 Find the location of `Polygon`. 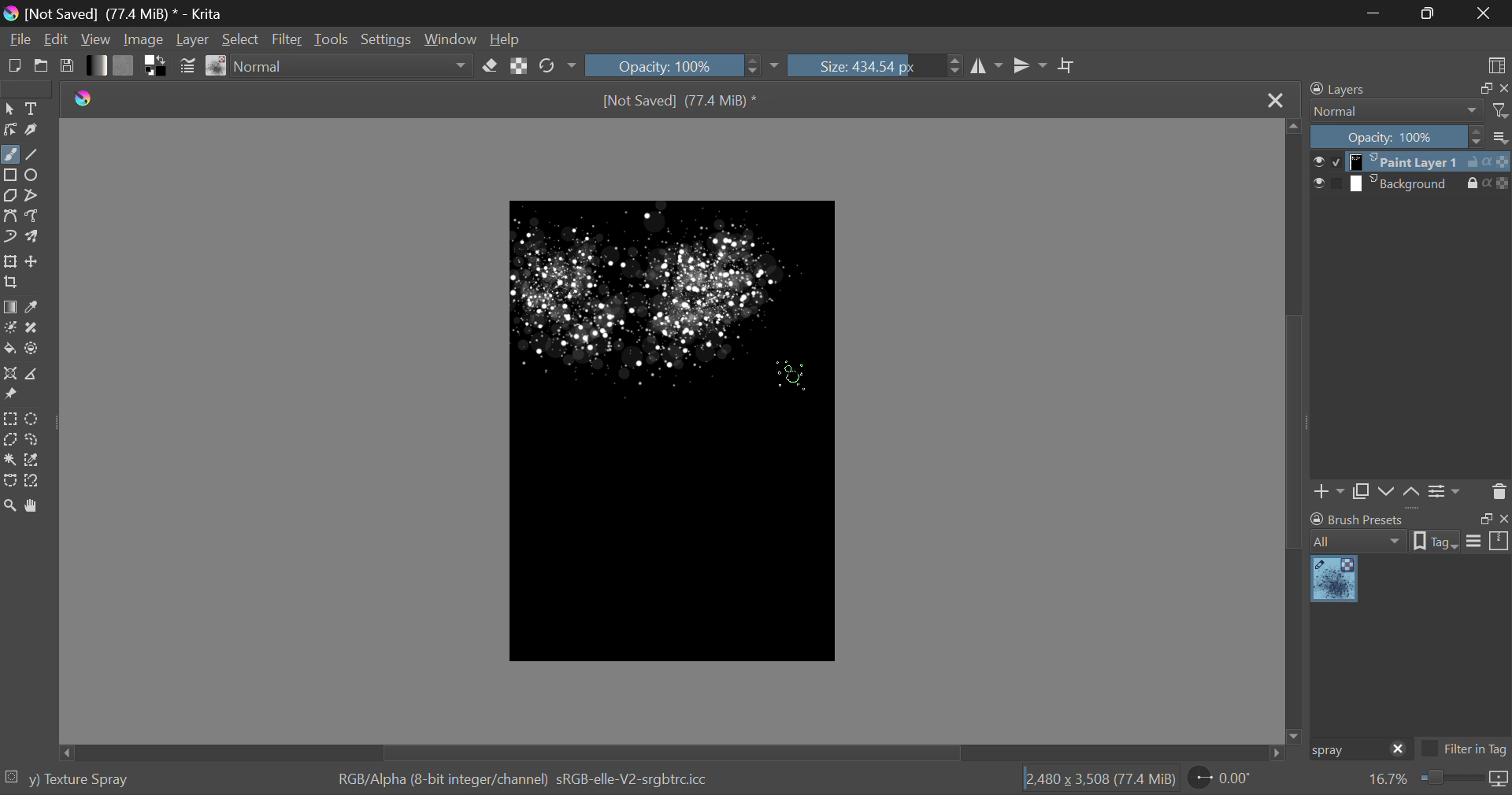

Polygon is located at coordinates (11, 197).